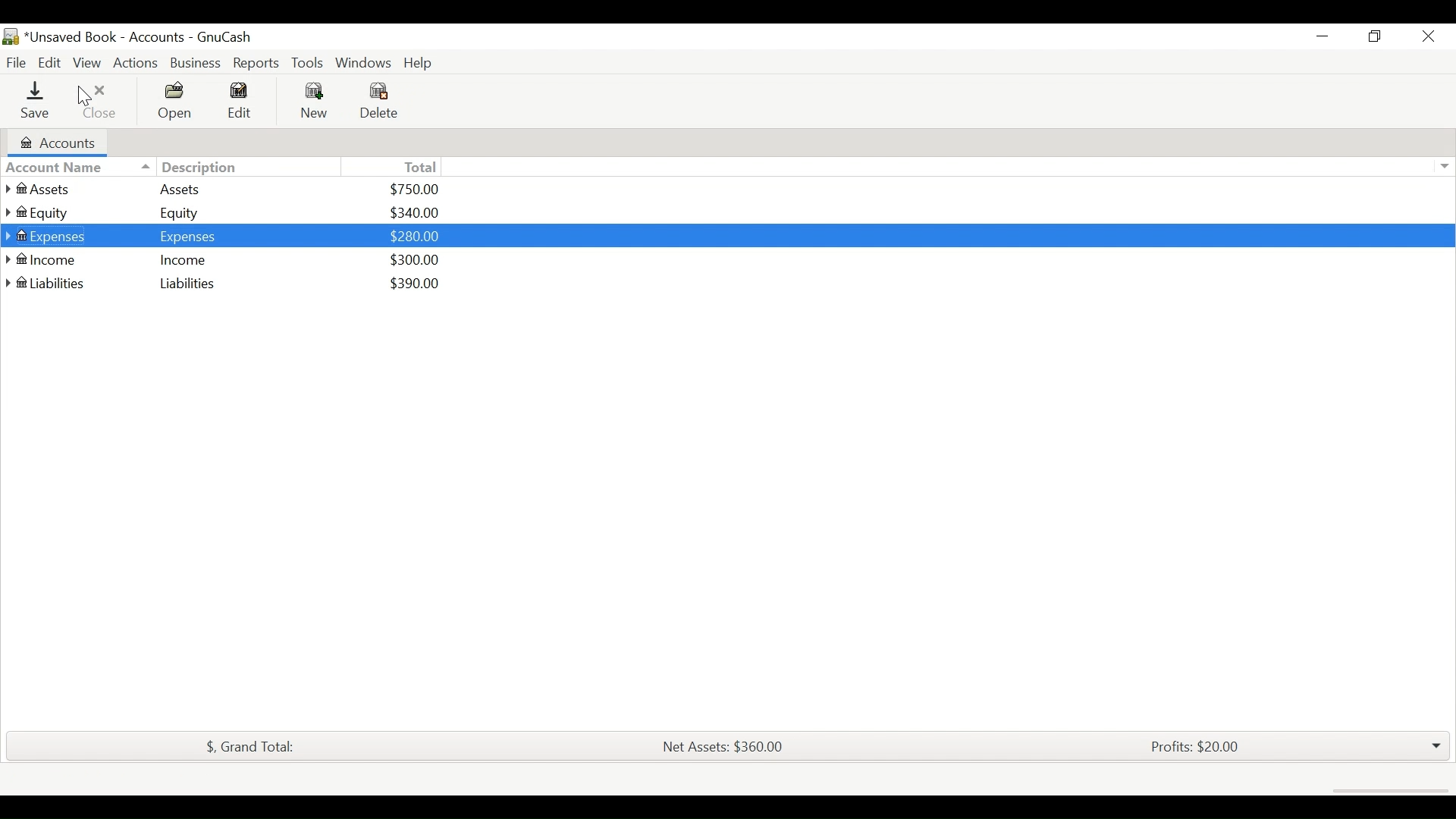  I want to click on $390.00, so click(414, 283).